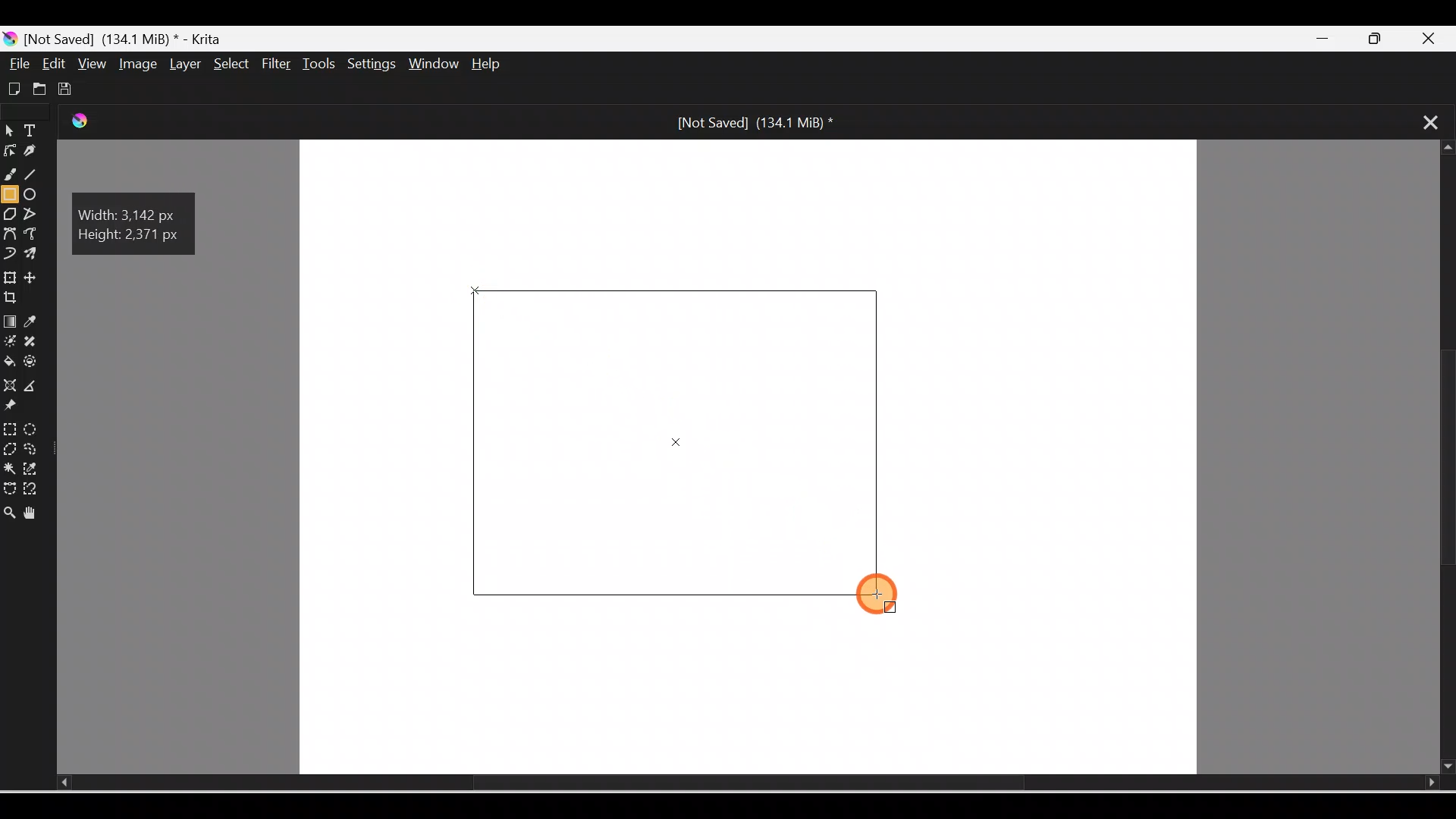 Image resolution: width=1456 pixels, height=819 pixels. I want to click on Text tool, so click(33, 132).